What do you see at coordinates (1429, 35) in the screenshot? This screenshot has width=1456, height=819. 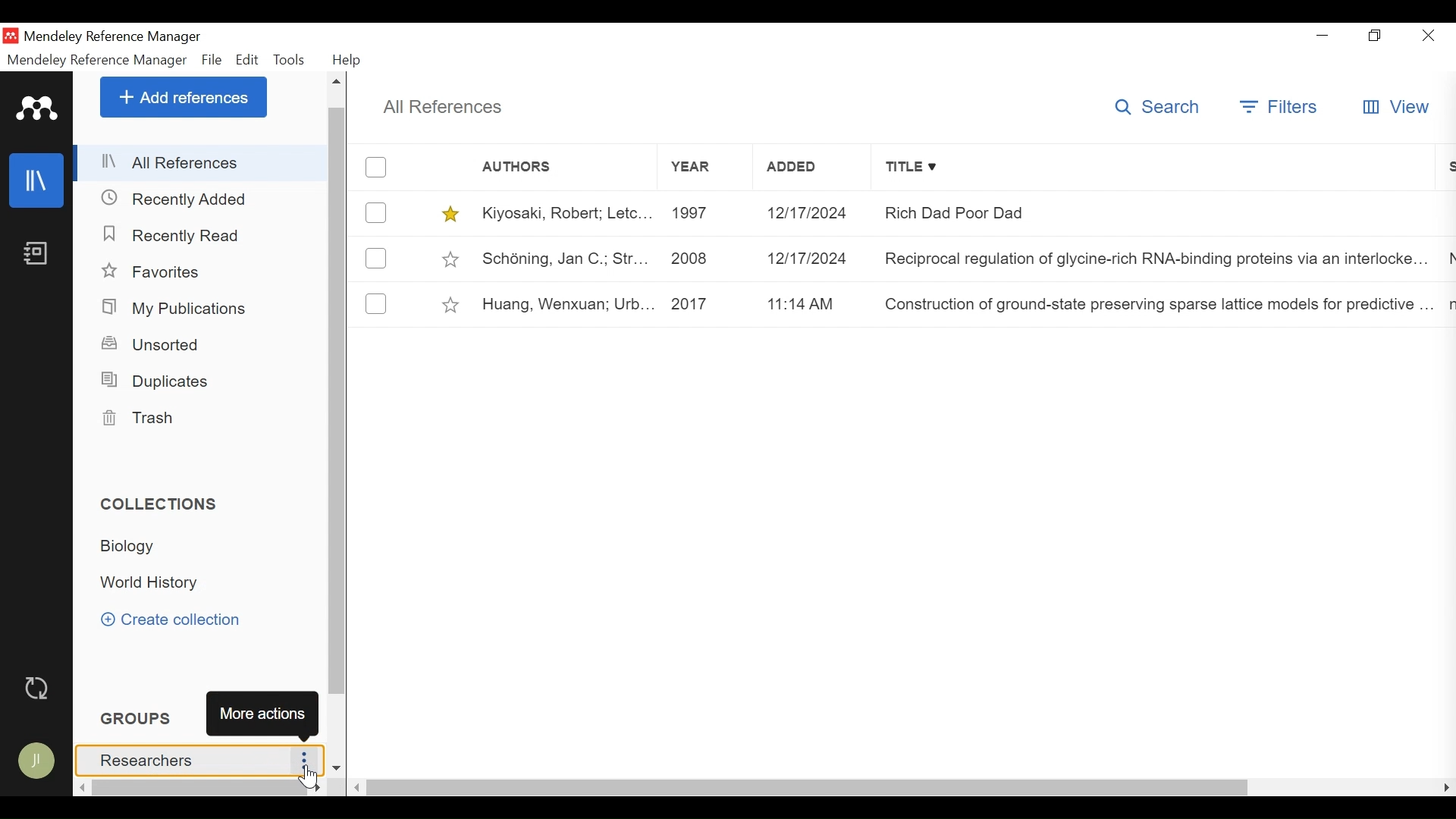 I see `Close` at bounding box center [1429, 35].